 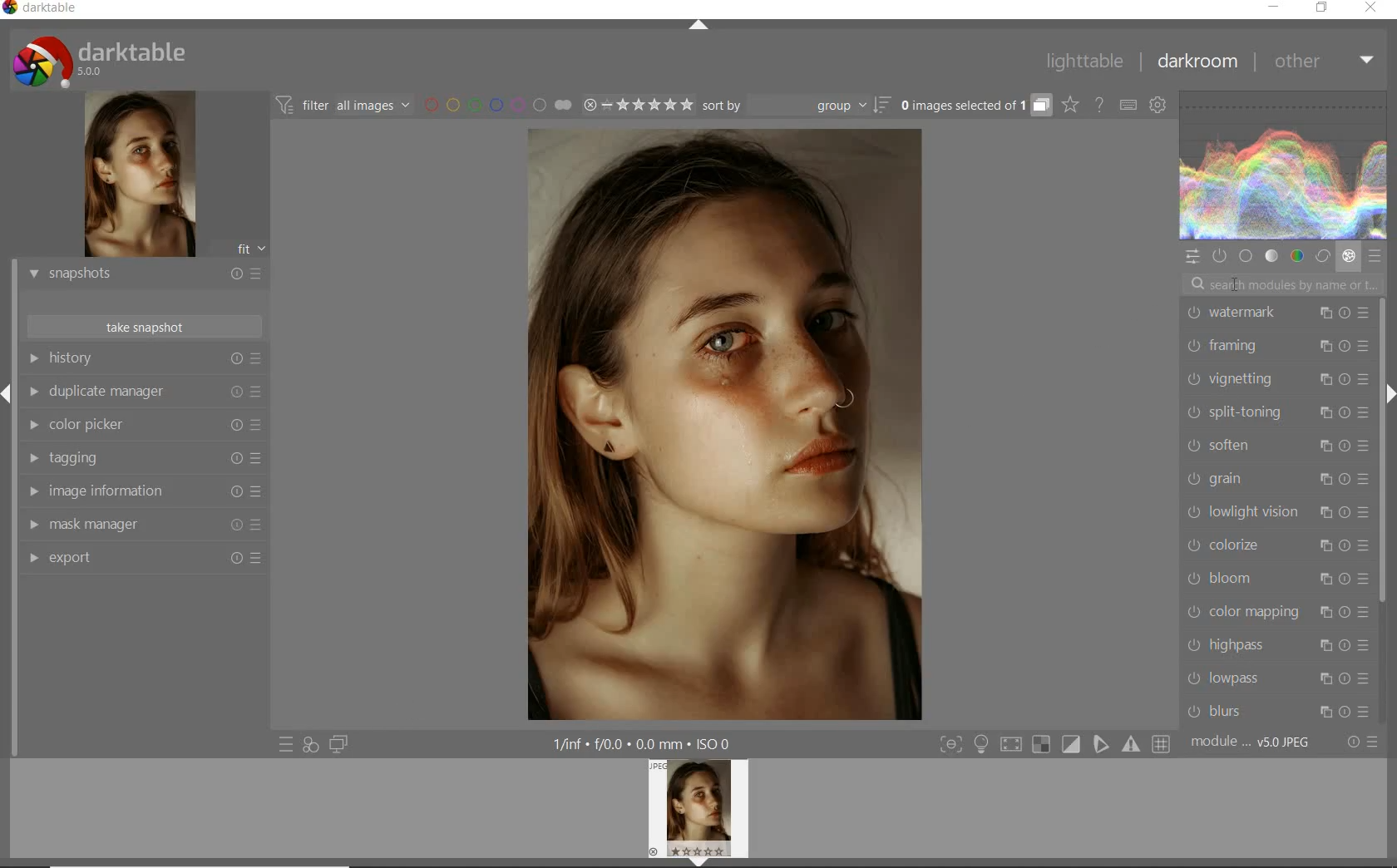 I want to click on module, so click(x=1252, y=742).